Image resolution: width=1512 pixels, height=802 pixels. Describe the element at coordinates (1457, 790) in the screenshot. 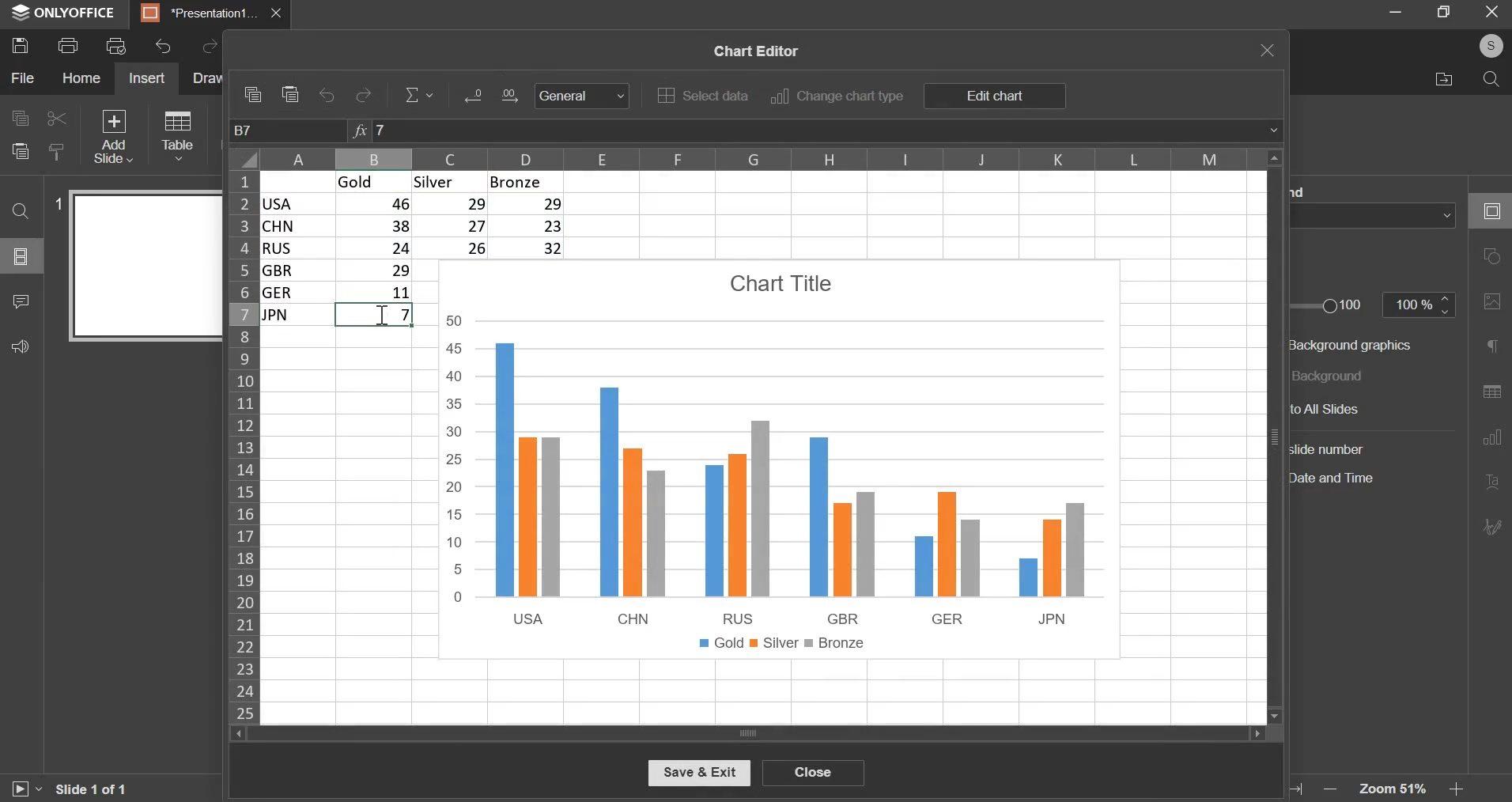

I see `zoom in` at that location.